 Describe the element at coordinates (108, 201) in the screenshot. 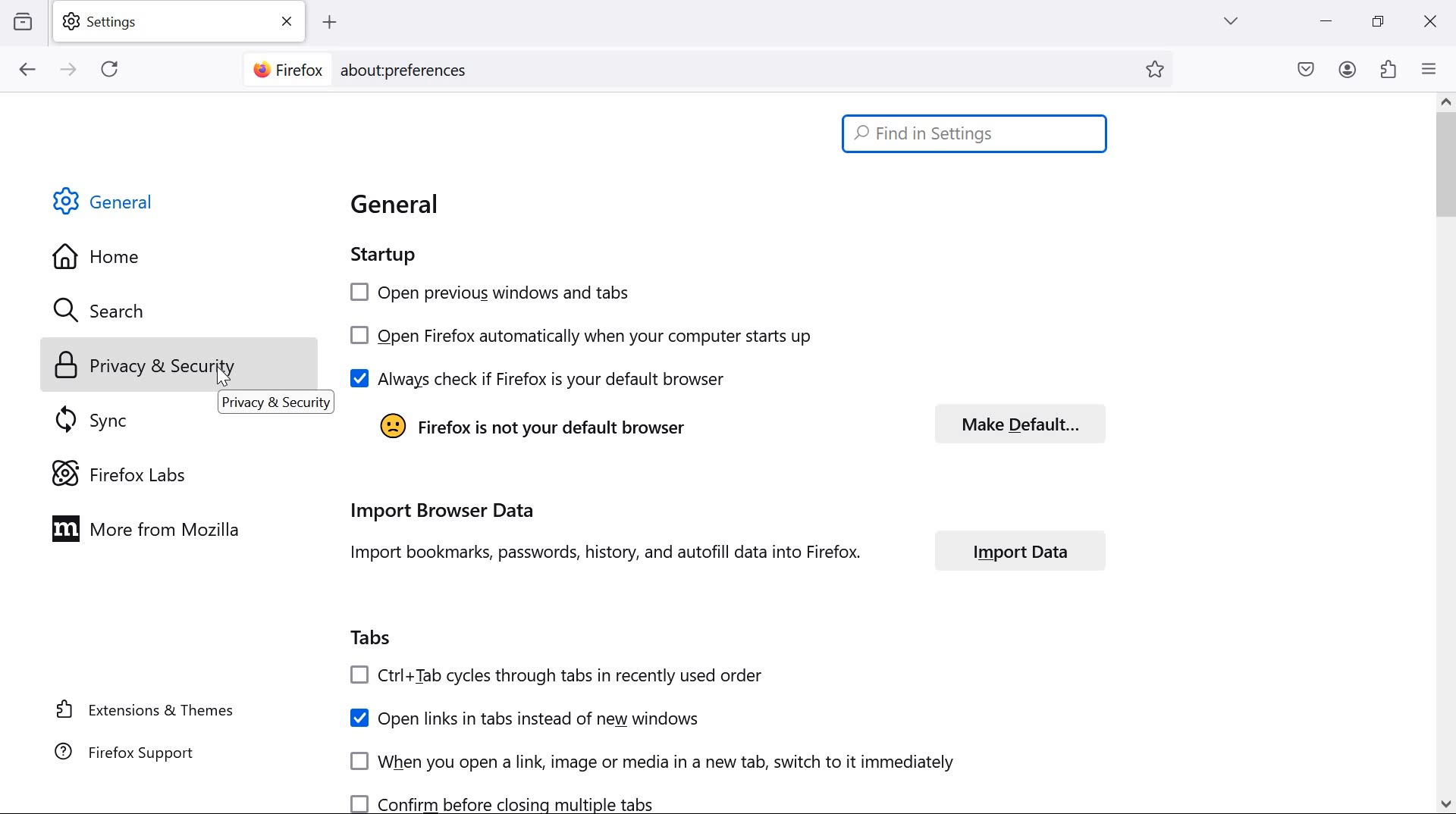

I see `General` at that location.